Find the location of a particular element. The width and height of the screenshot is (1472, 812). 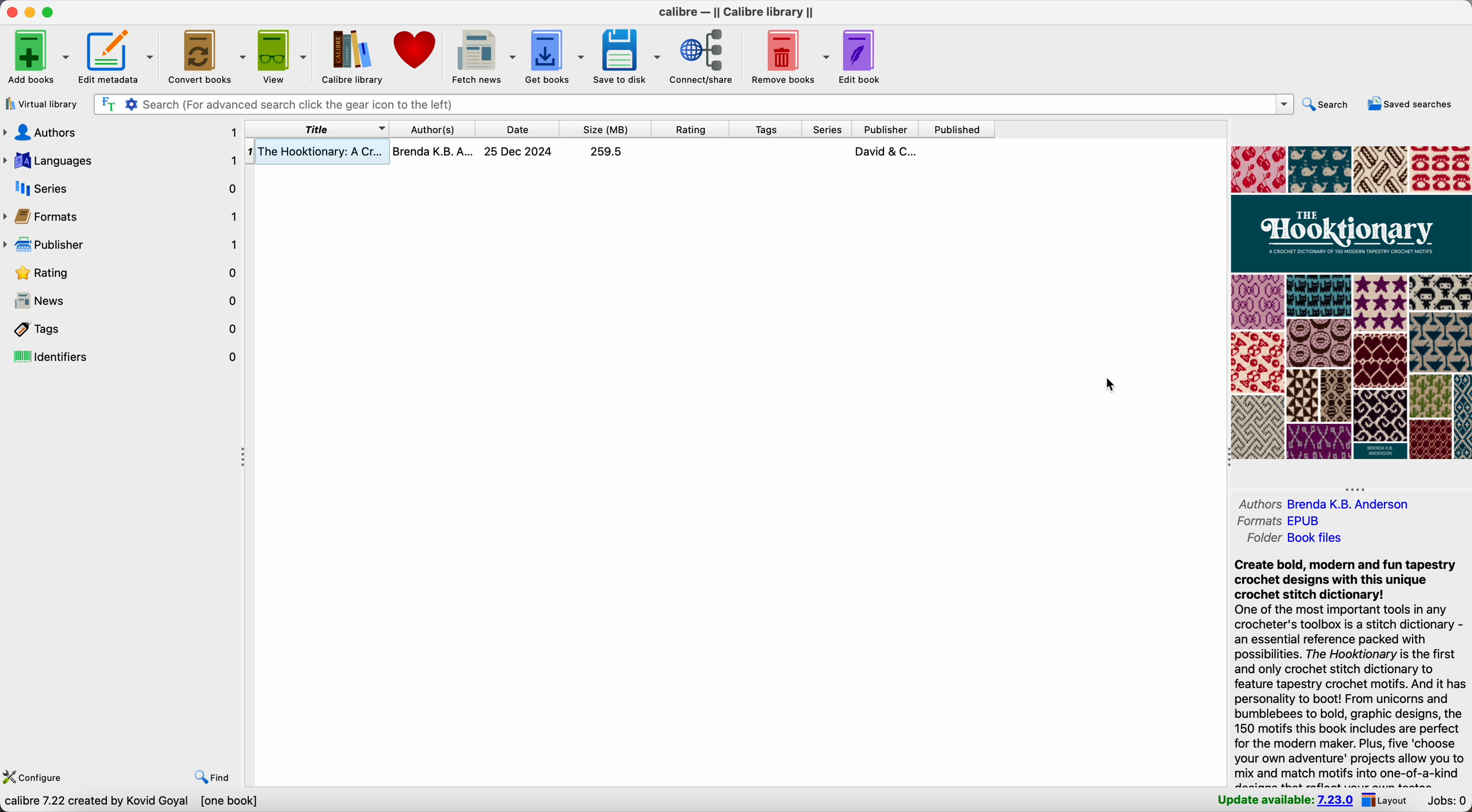

series is located at coordinates (122, 187).